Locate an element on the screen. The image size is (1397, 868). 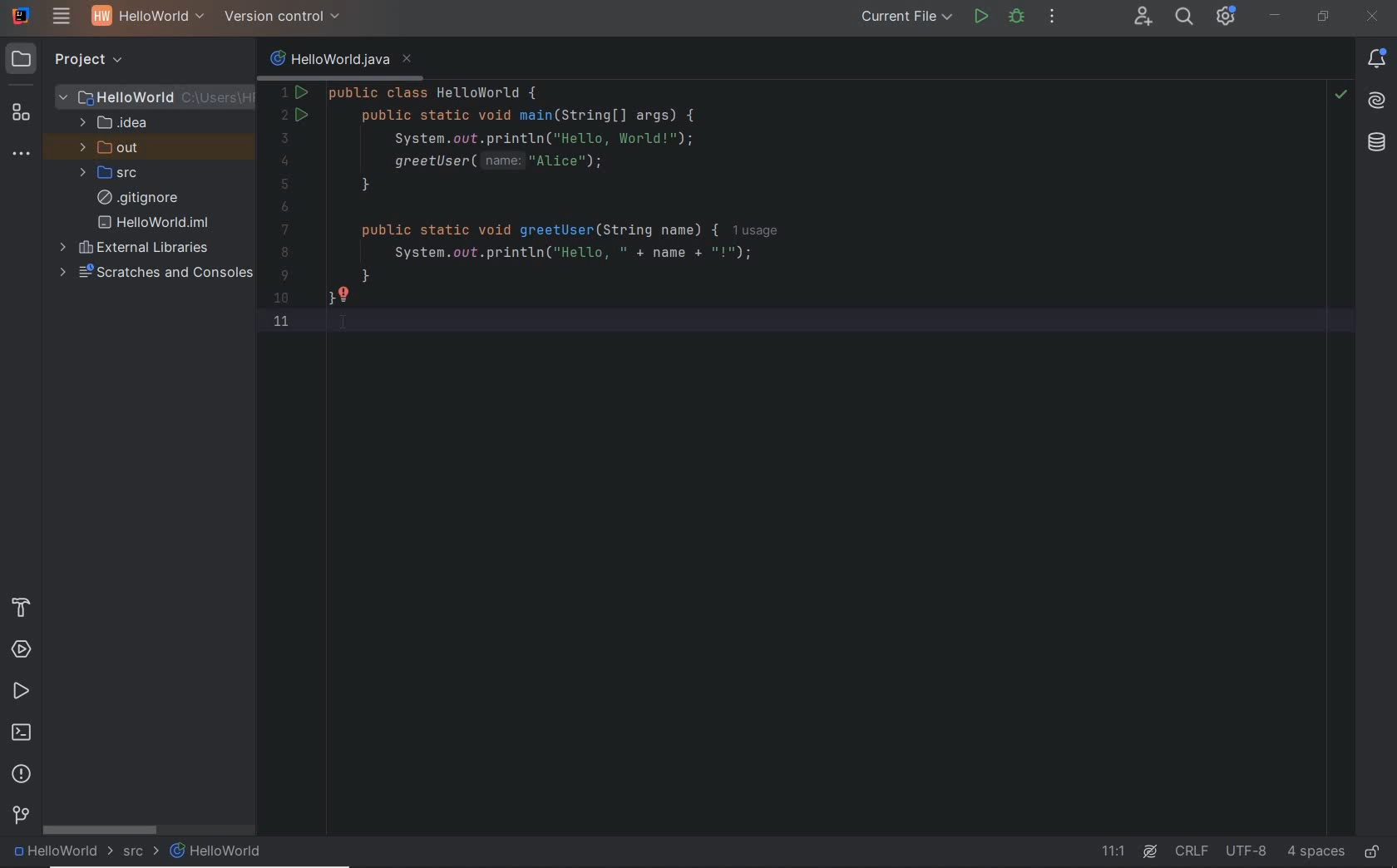
more actions is located at coordinates (1053, 20).